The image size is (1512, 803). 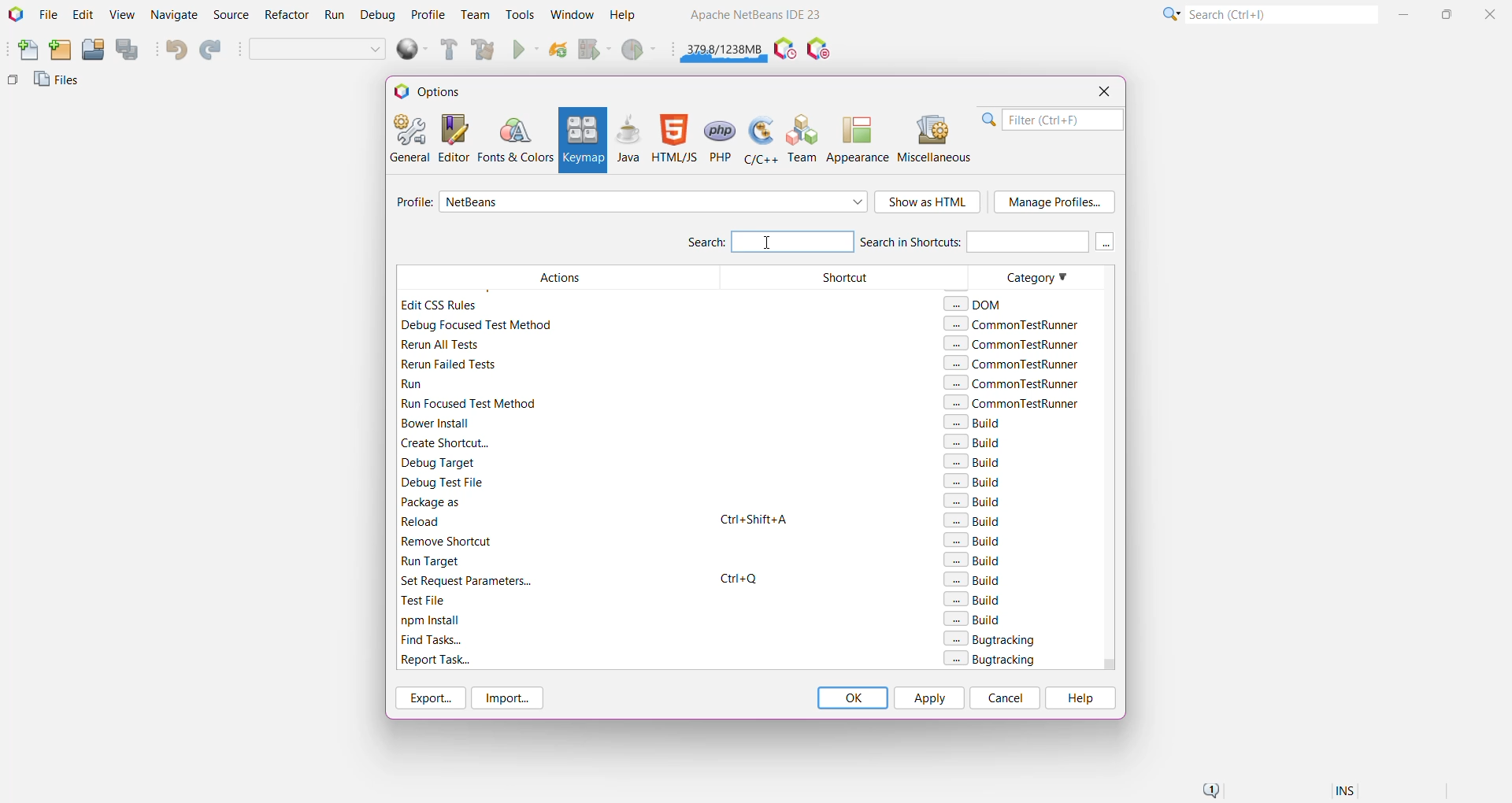 I want to click on Manage Profile, so click(x=1054, y=202).